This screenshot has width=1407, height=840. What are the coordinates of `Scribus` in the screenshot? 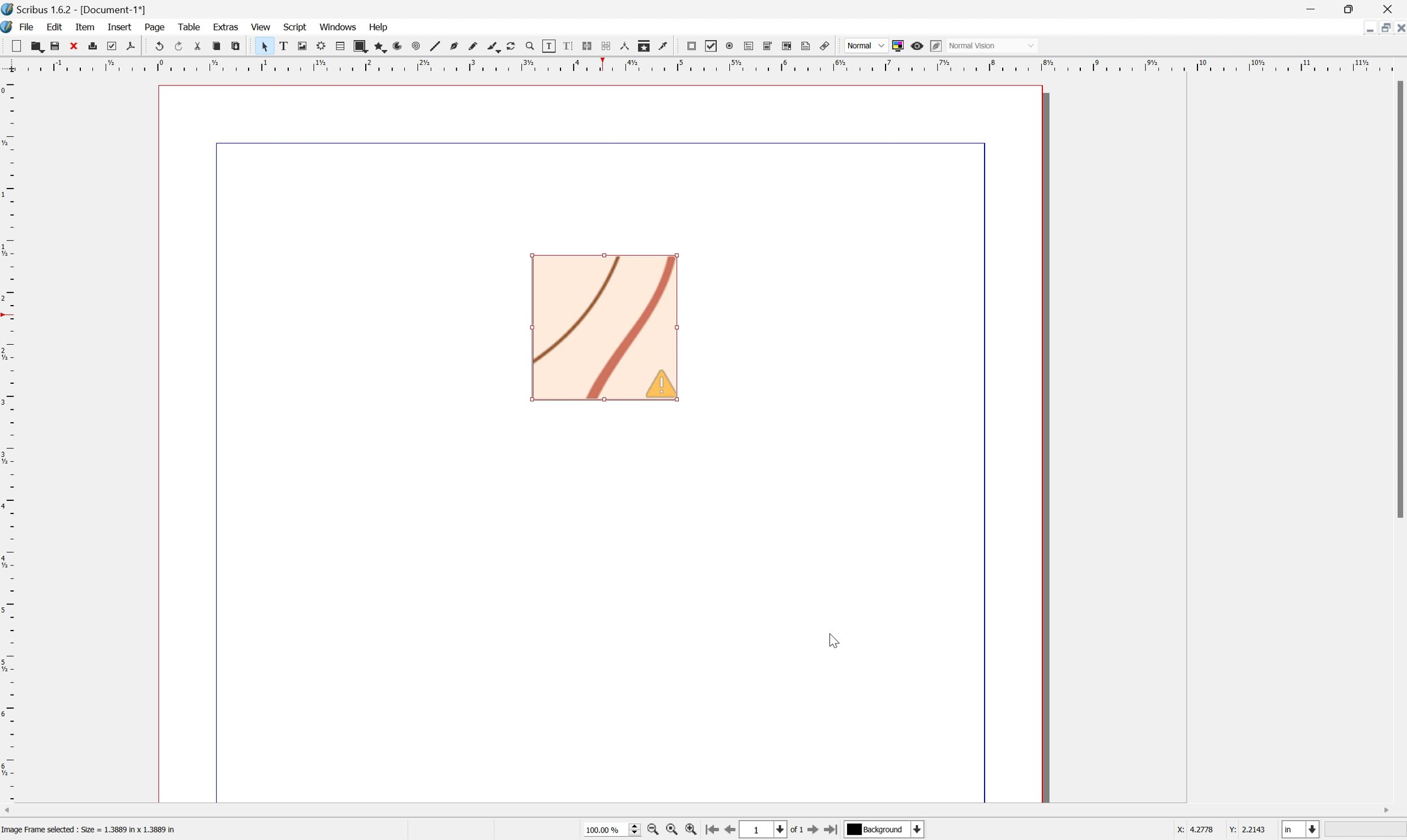 It's located at (9, 27).